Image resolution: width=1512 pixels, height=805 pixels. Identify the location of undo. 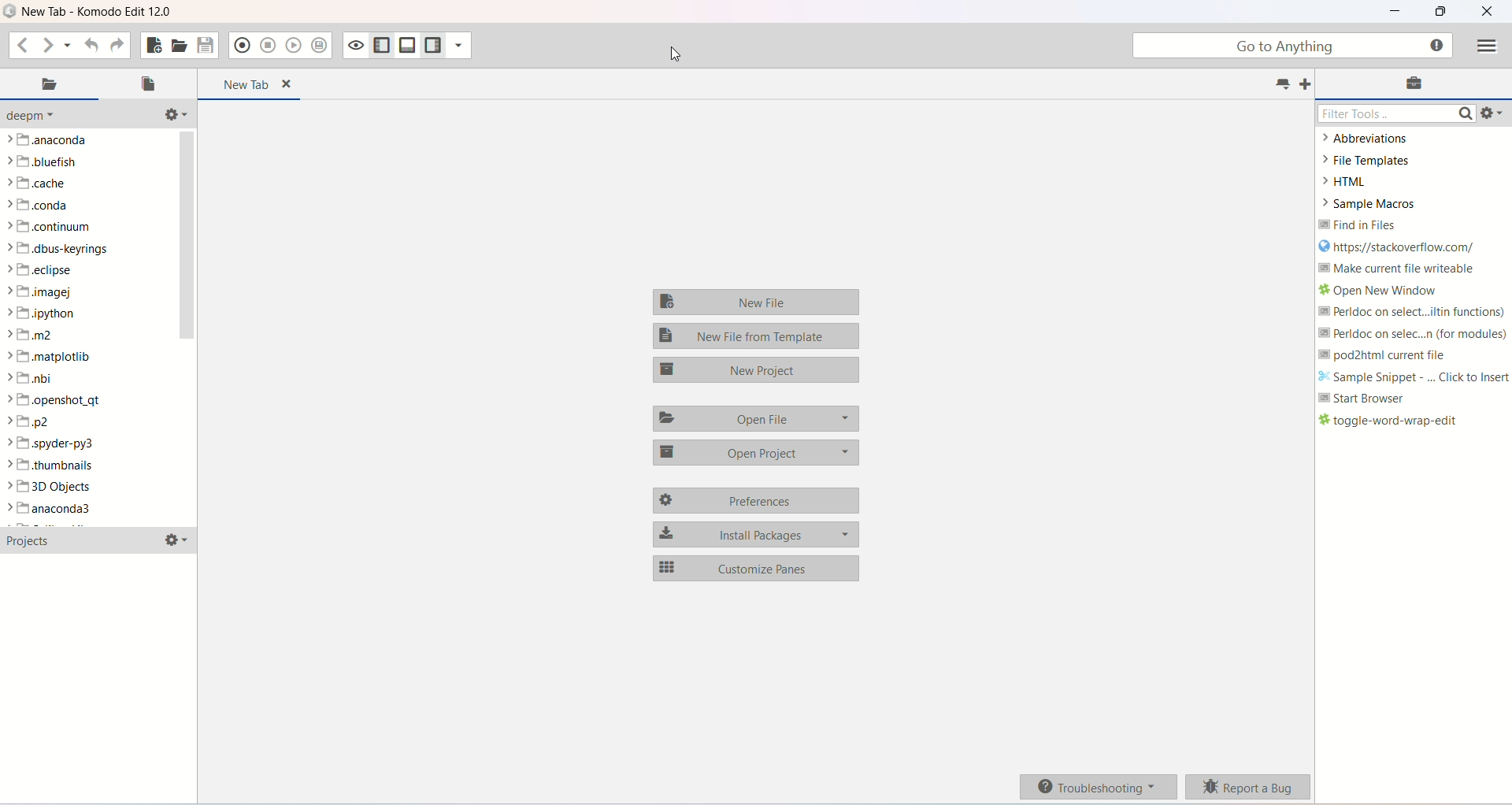
(93, 46).